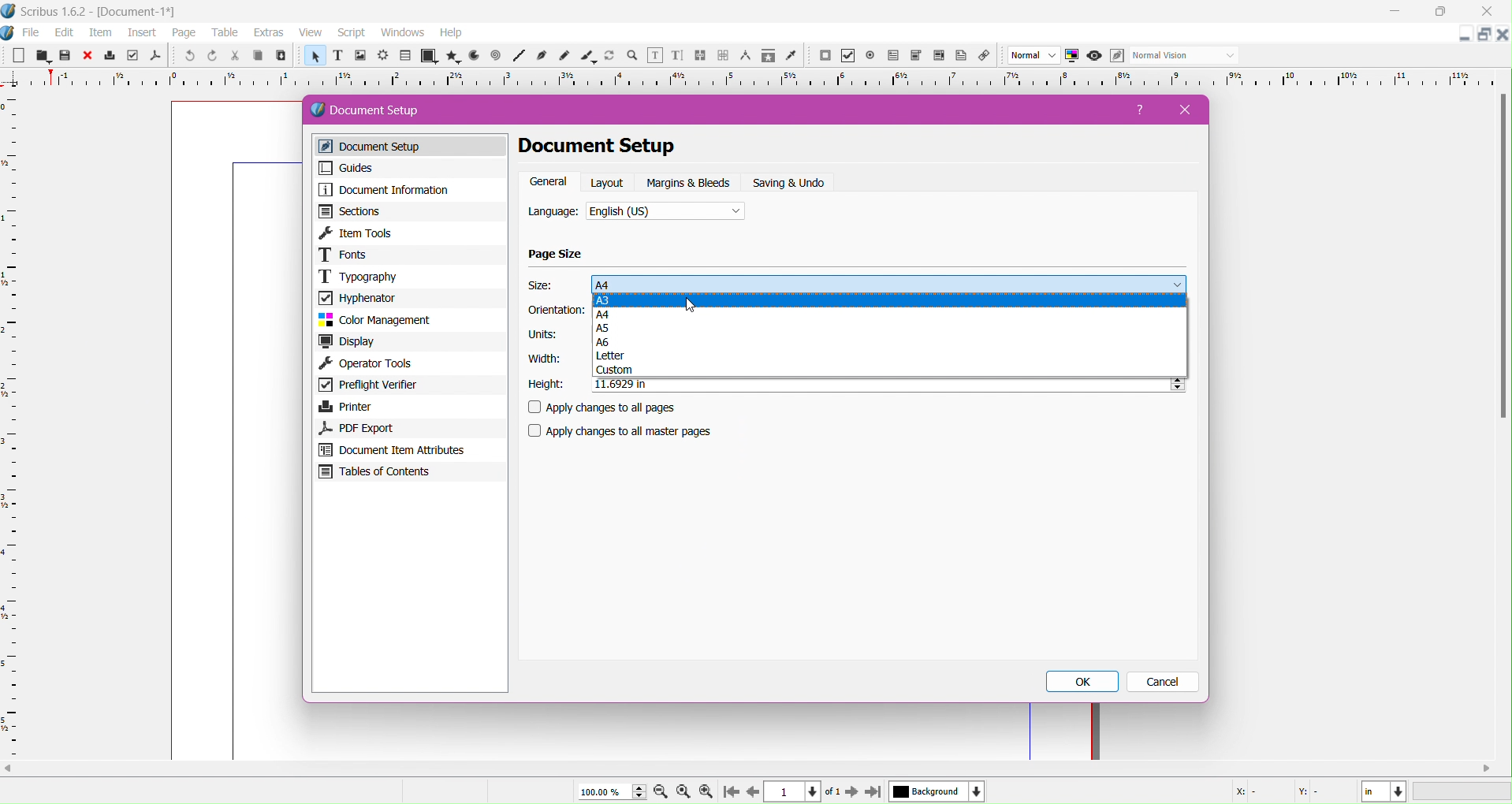 The width and height of the screenshot is (1512, 804). What do you see at coordinates (891, 356) in the screenshot?
I see `Letter` at bounding box center [891, 356].